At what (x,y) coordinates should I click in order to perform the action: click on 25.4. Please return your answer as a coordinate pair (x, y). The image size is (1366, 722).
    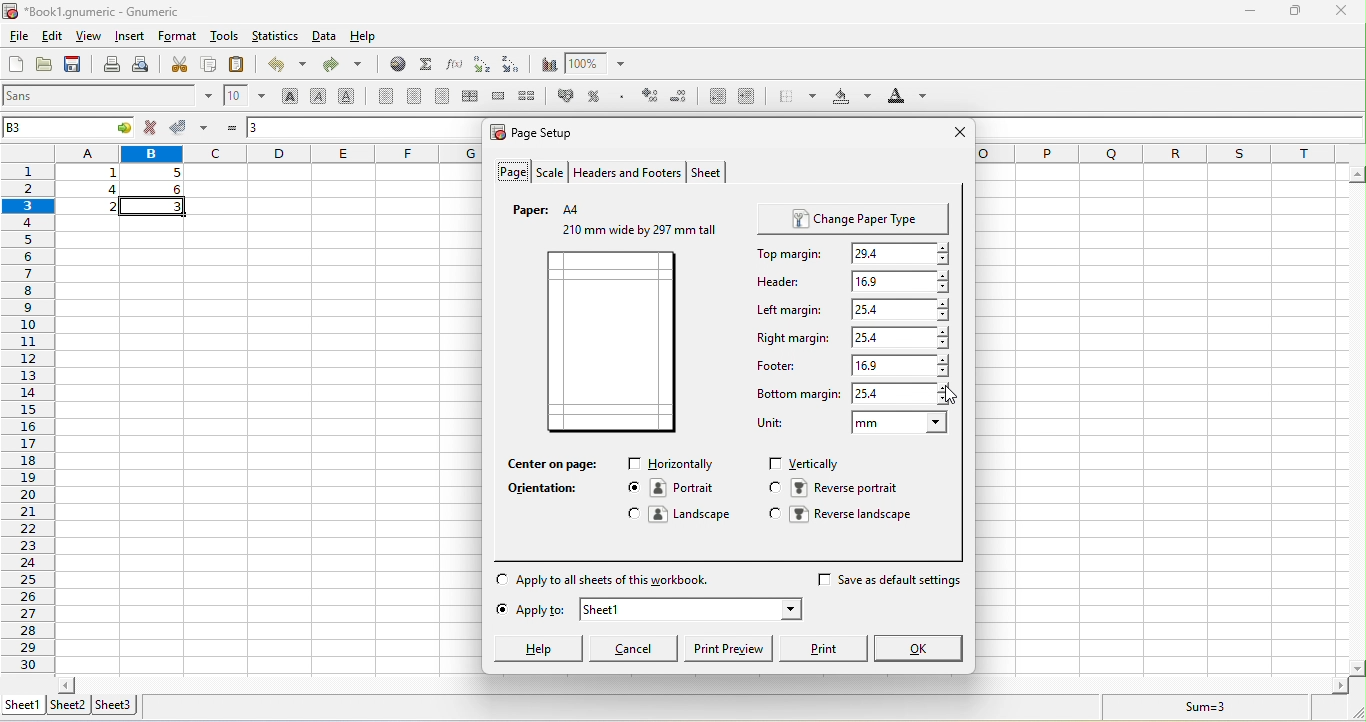
    Looking at the image, I should click on (901, 393).